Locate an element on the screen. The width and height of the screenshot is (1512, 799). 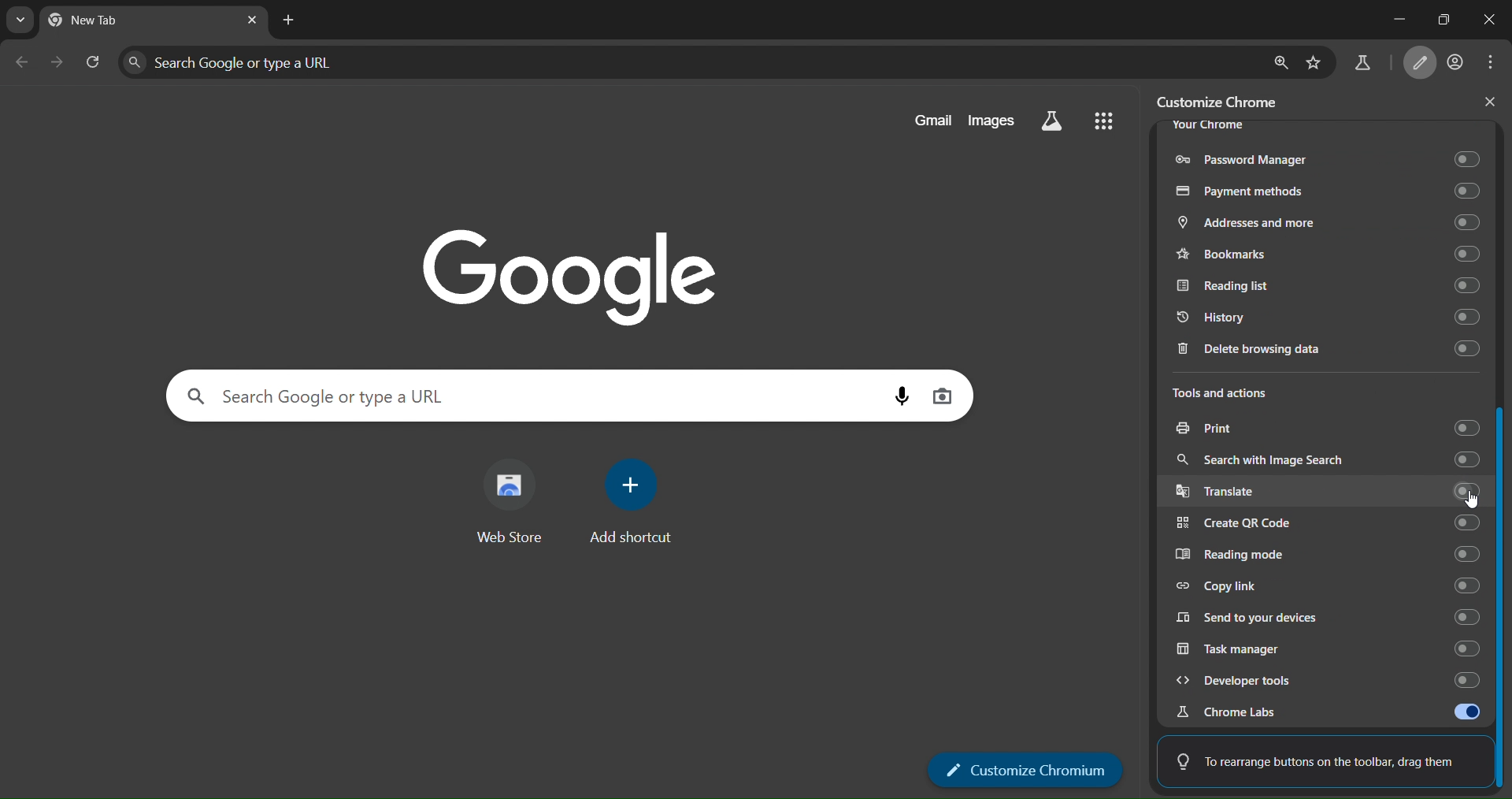
restore down is located at coordinates (1440, 17).